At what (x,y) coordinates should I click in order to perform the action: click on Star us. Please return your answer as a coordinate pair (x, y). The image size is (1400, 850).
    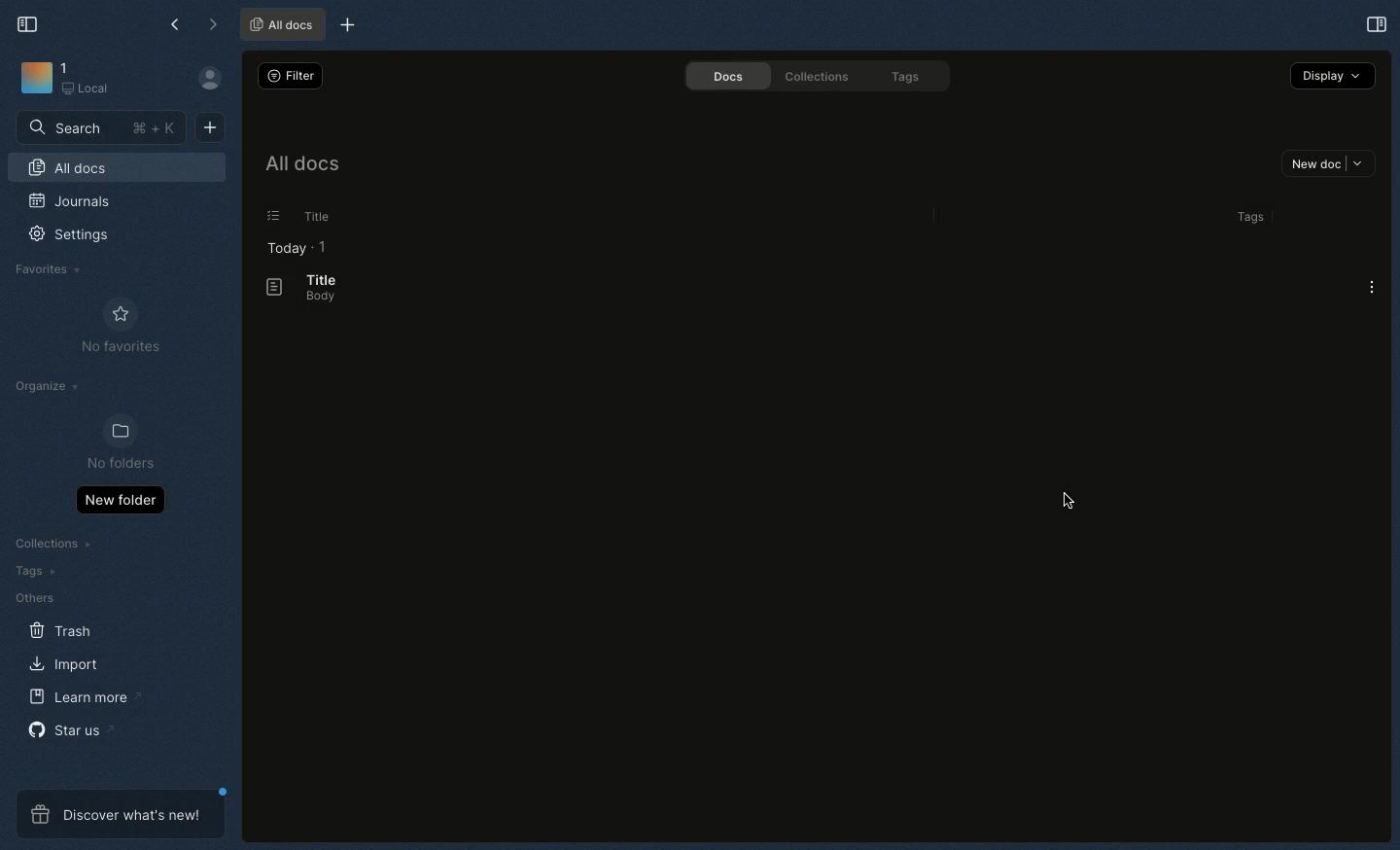
    Looking at the image, I should click on (69, 729).